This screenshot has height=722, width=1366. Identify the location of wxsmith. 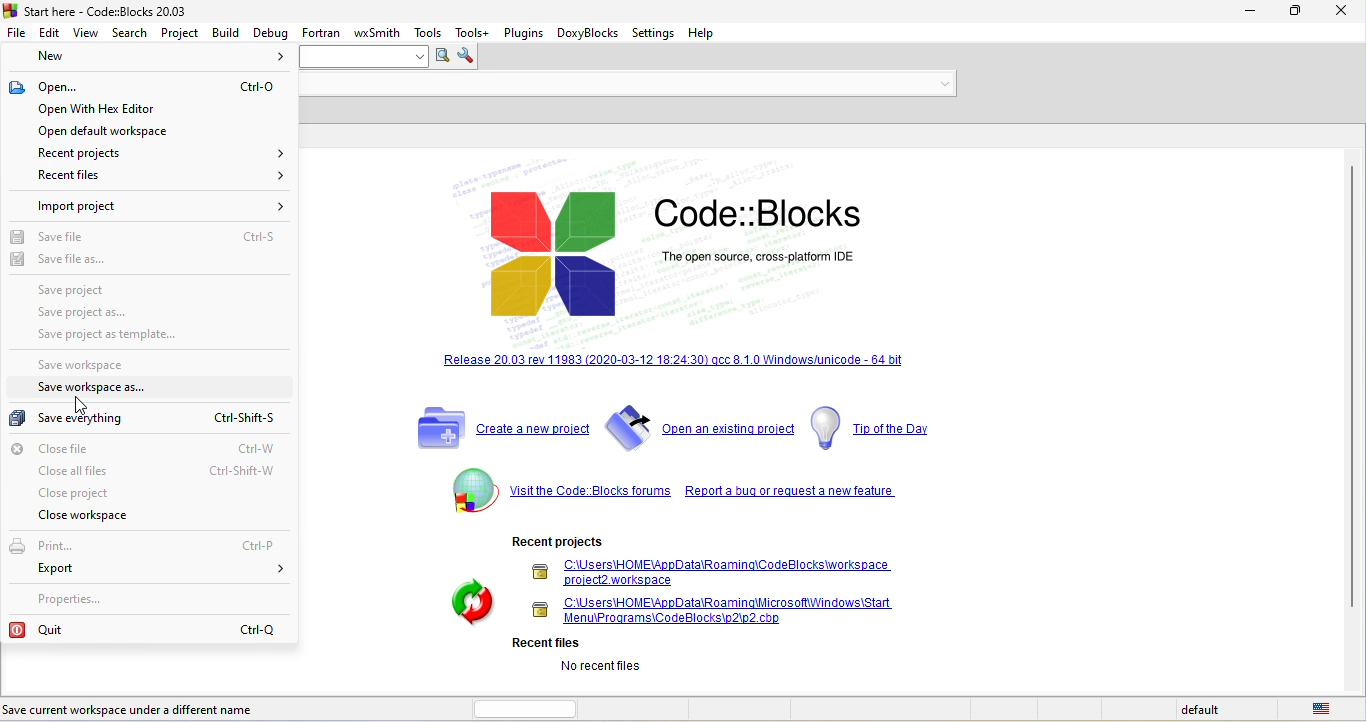
(379, 30).